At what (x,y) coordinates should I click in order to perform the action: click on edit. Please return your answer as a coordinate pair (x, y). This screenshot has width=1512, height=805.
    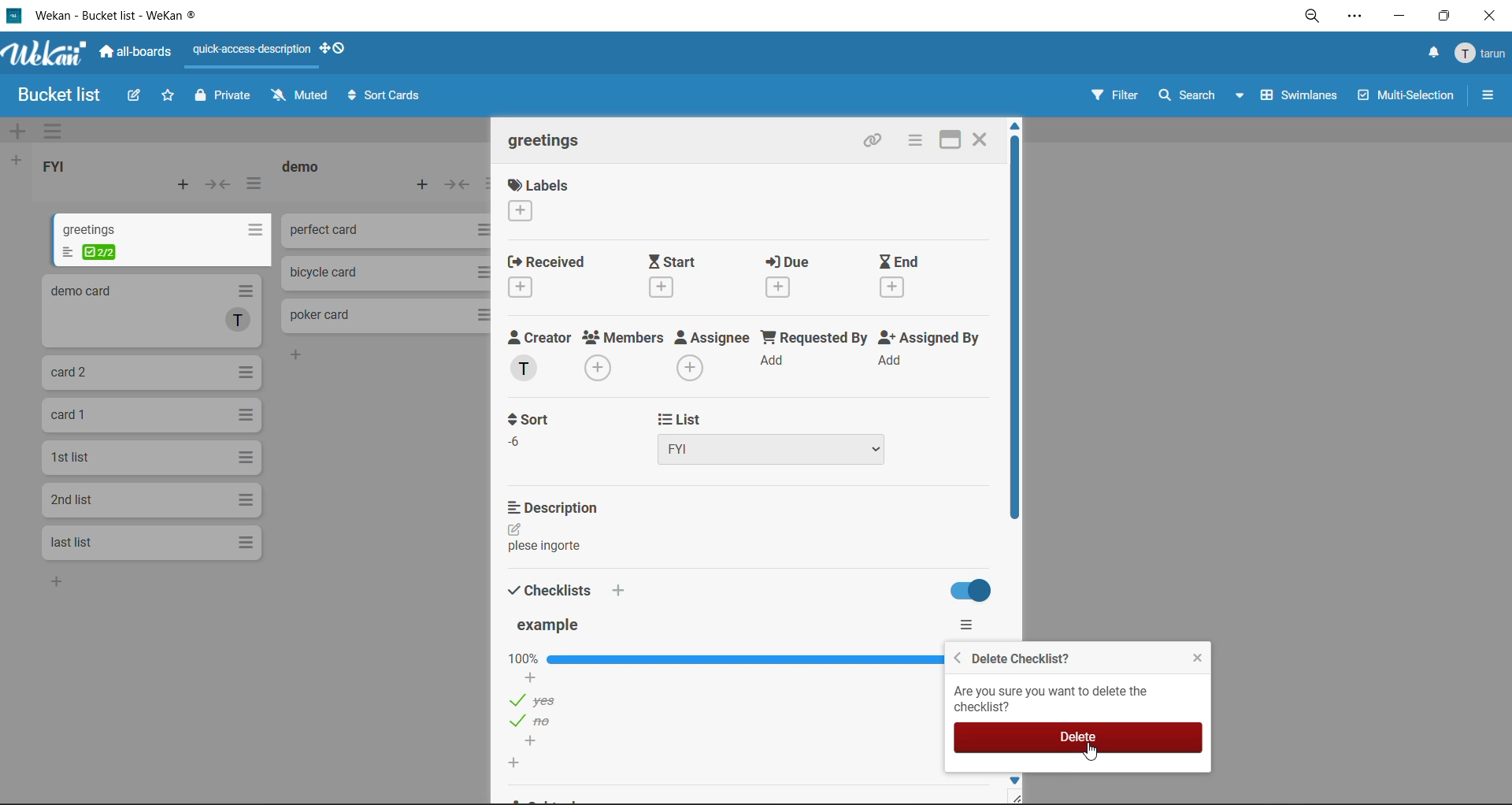
    Looking at the image, I should click on (135, 98).